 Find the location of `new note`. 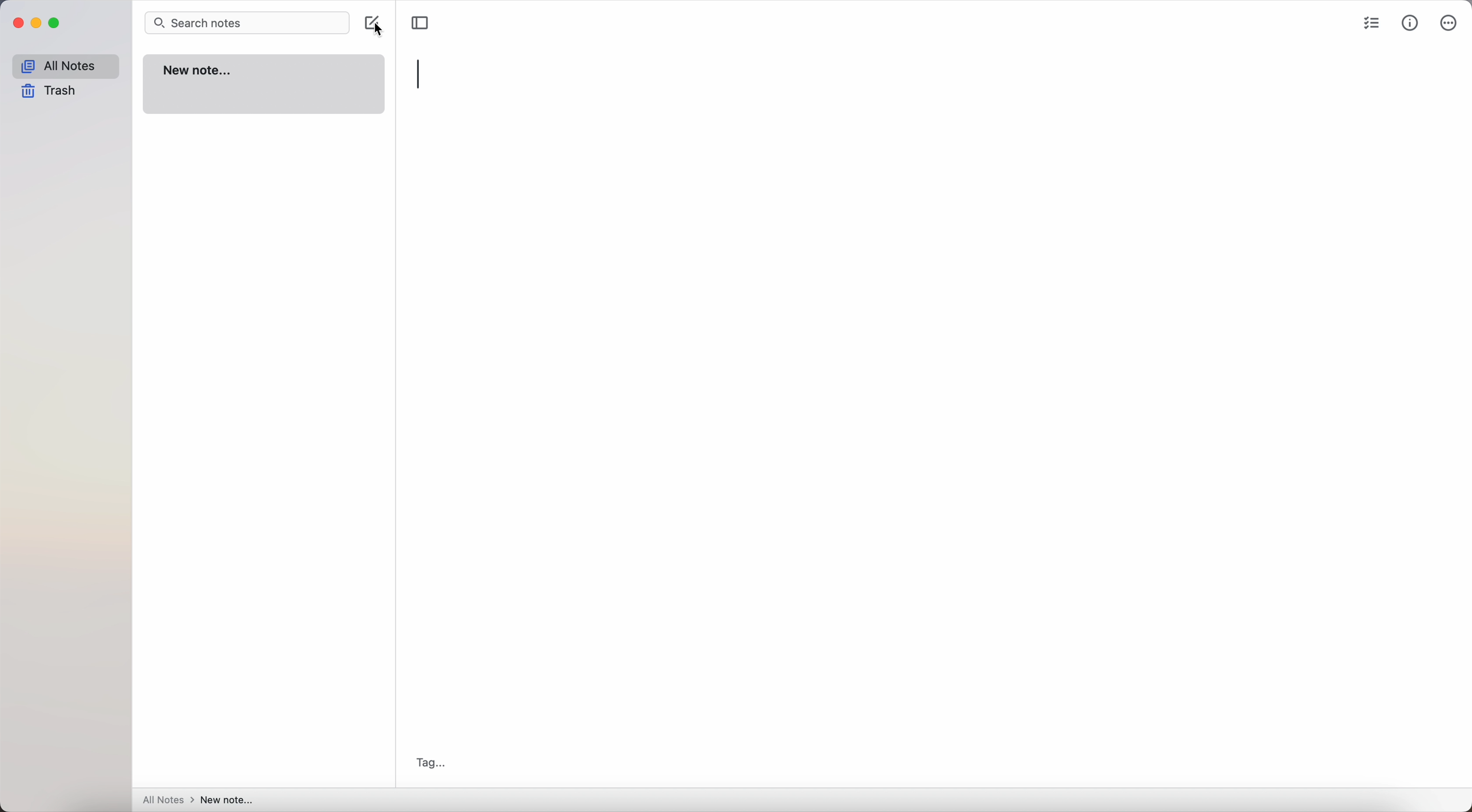

new note is located at coordinates (263, 86).